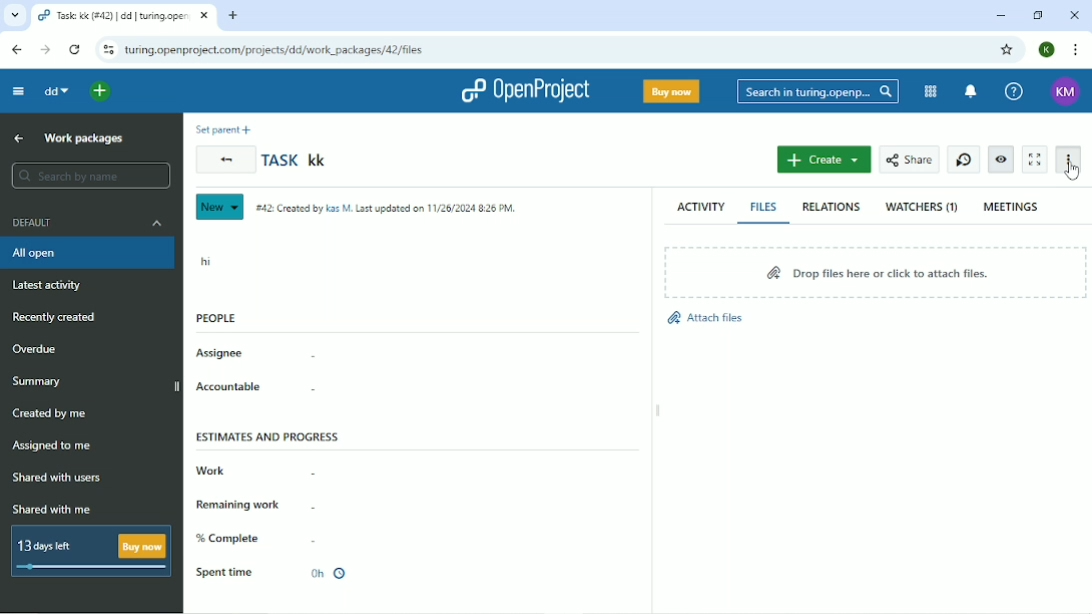 Image resolution: width=1092 pixels, height=614 pixels. Describe the element at coordinates (234, 17) in the screenshot. I see `New tab` at that location.